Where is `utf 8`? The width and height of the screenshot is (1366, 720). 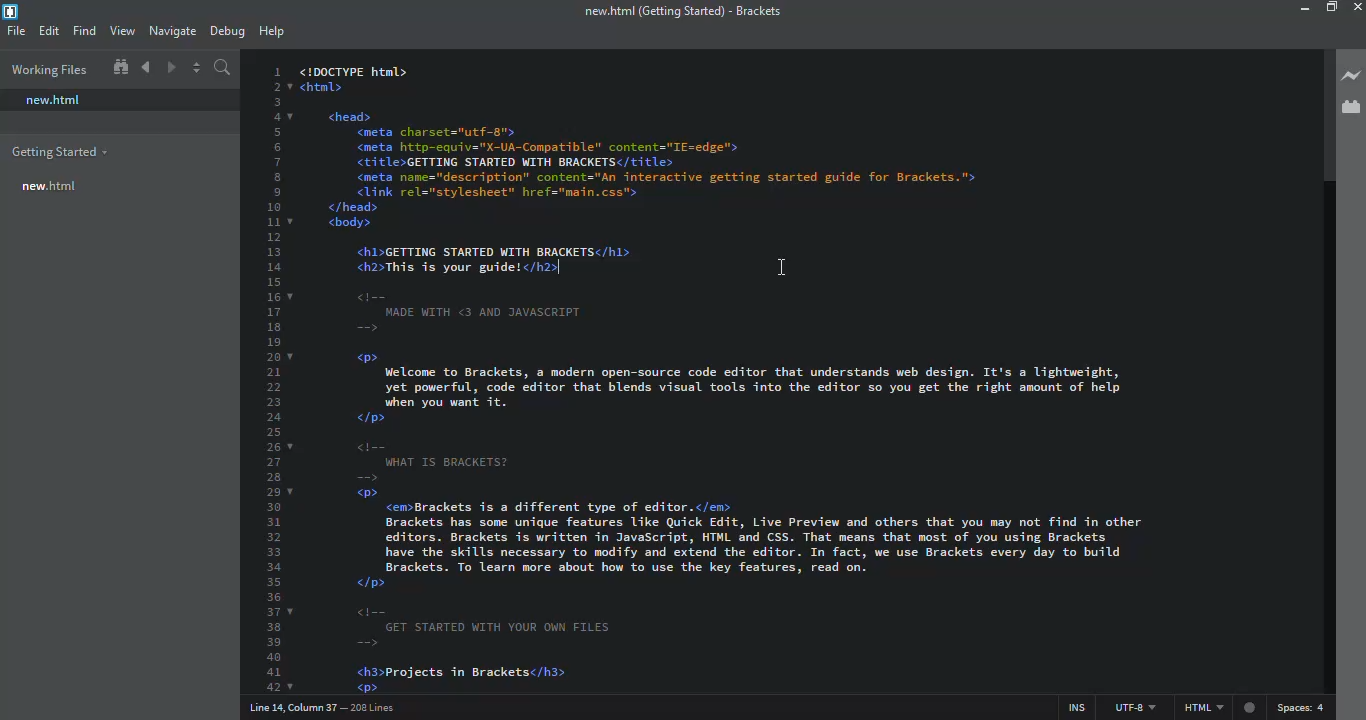
utf 8 is located at coordinates (1132, 707).